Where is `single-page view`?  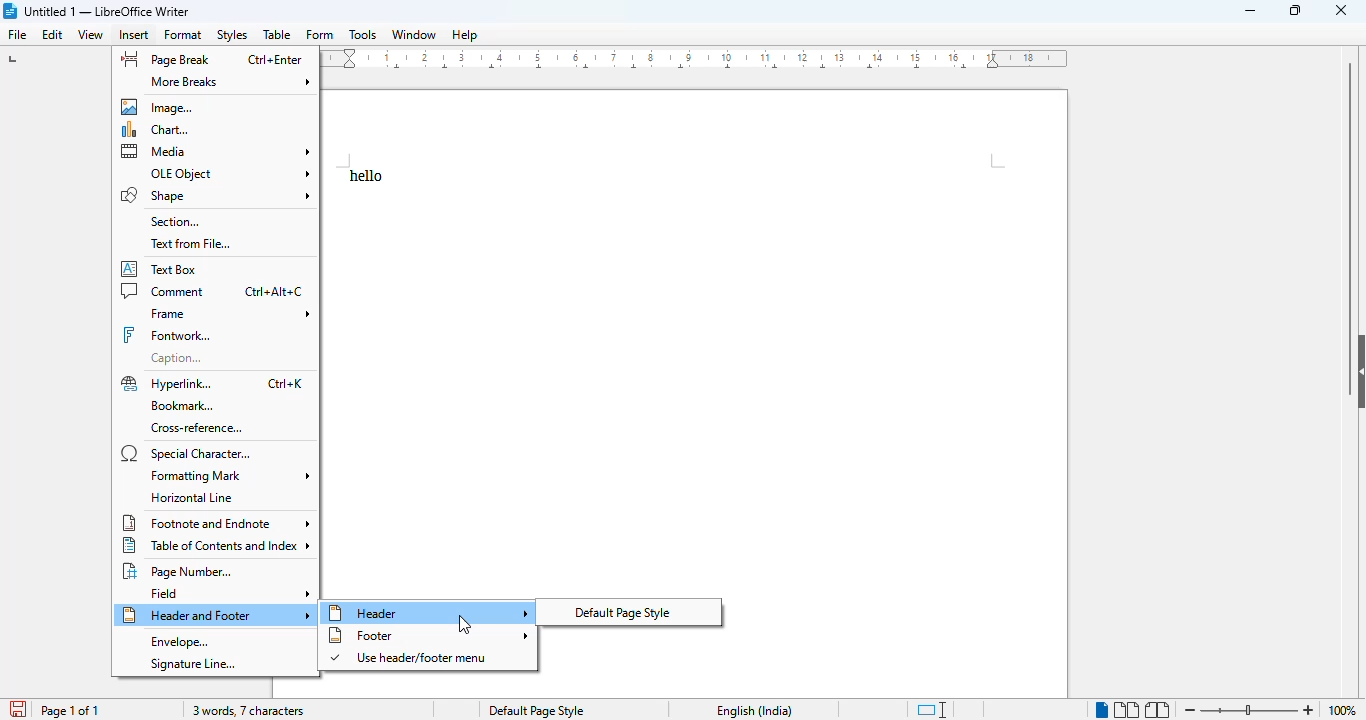
single-page view is located at coordinates (1101, 709).